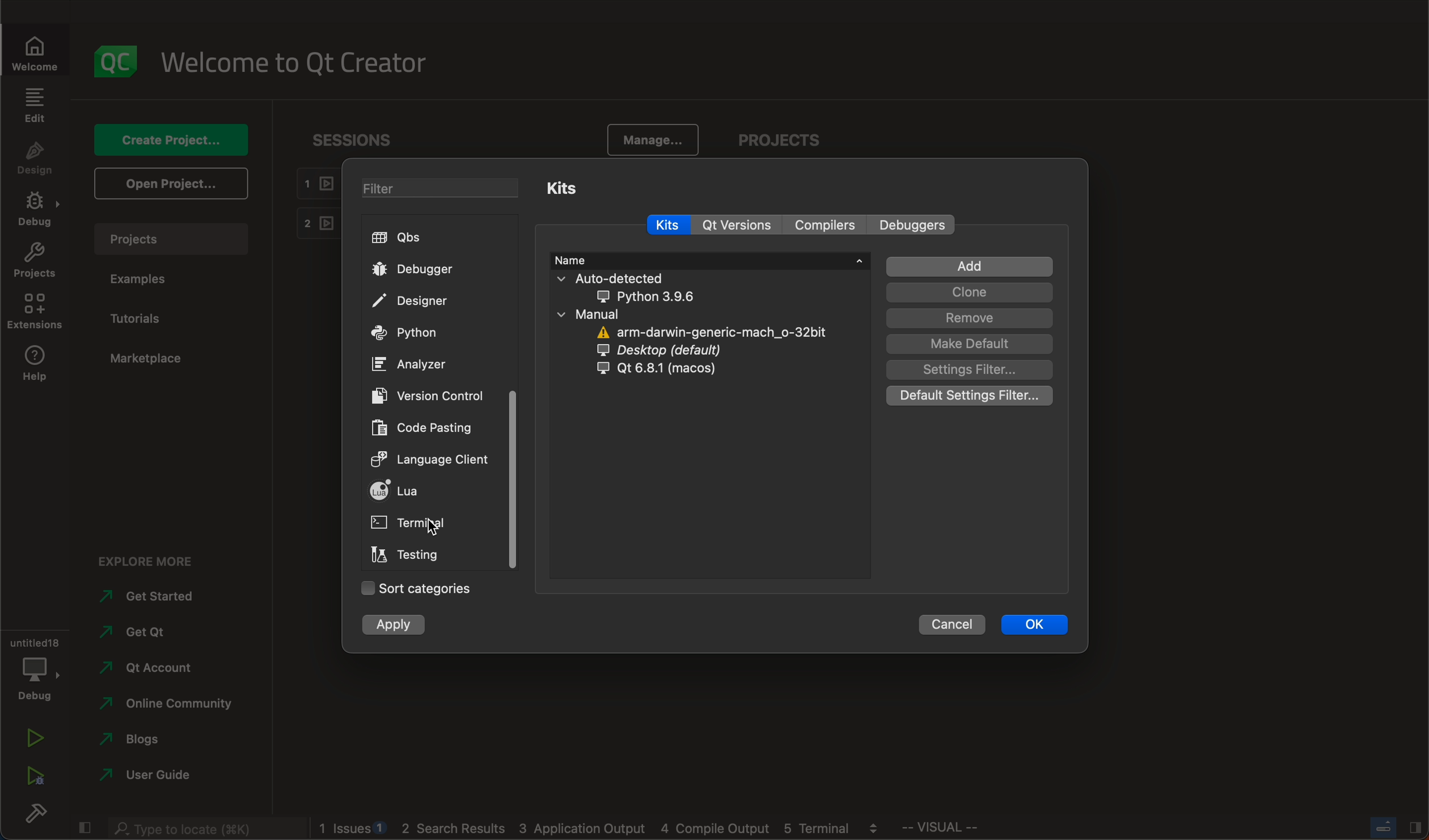  Describe the element at coordinates (146, 557) in the screenshot. I see `explore` at that location.